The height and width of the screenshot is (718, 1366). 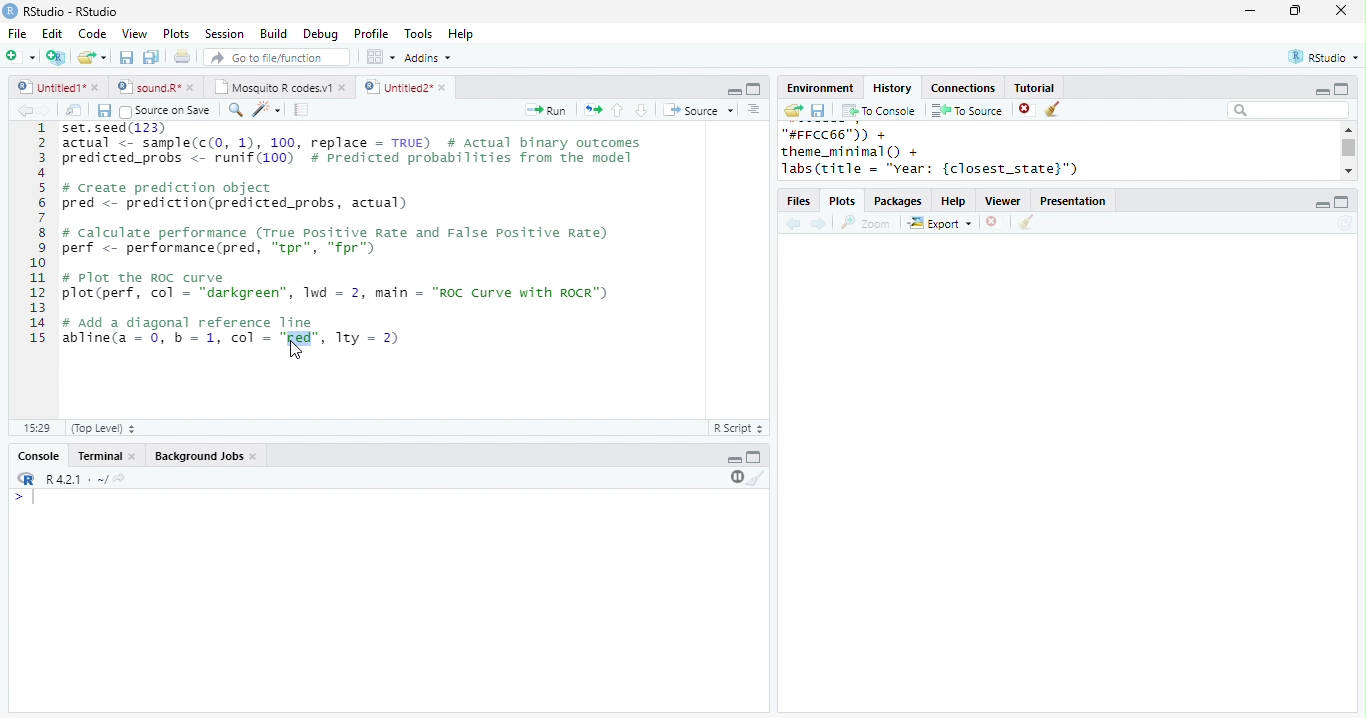 I want to click on Untitled 2, so click(x=397, y=86).